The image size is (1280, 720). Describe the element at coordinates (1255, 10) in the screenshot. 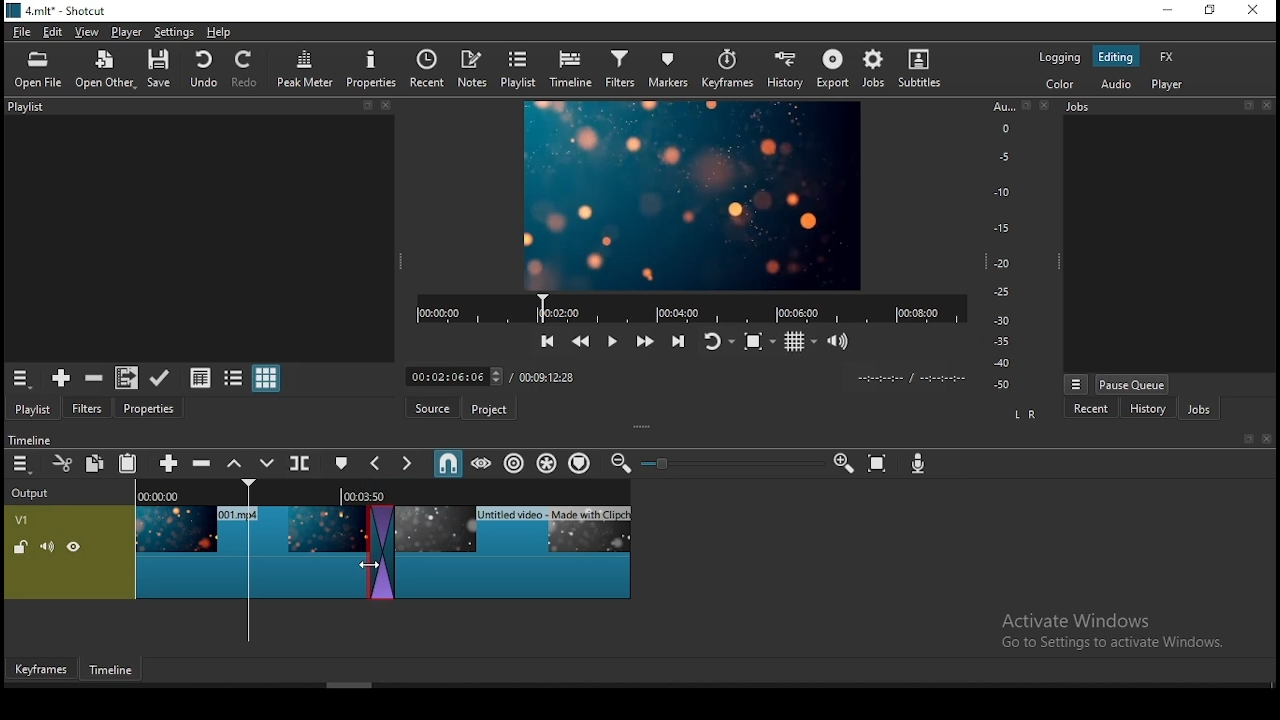

I see `close window` at that location.